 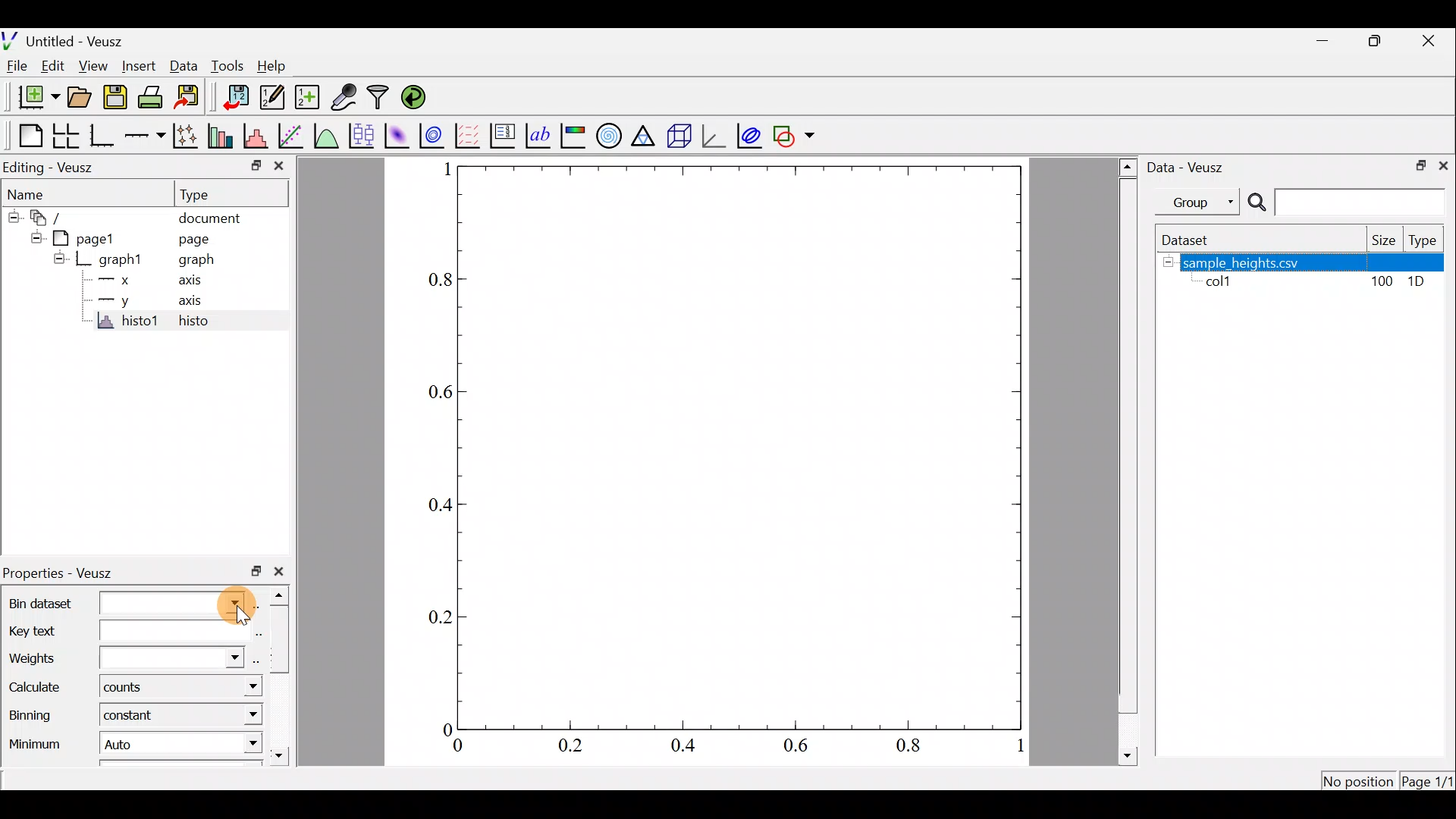 I want to click on Calculate dropdown, so click(x=237, y=686).